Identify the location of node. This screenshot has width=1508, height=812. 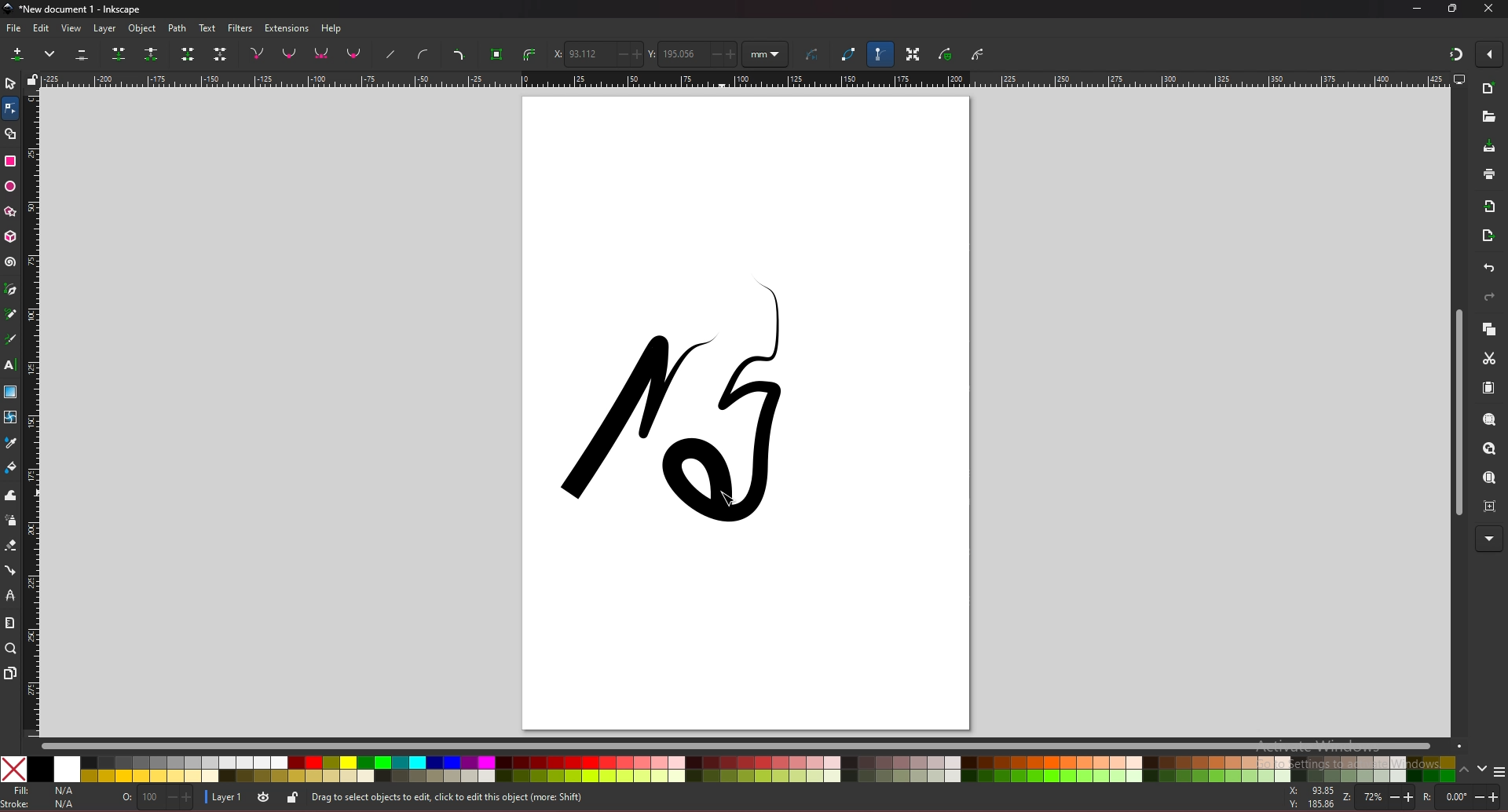
(9, 108).